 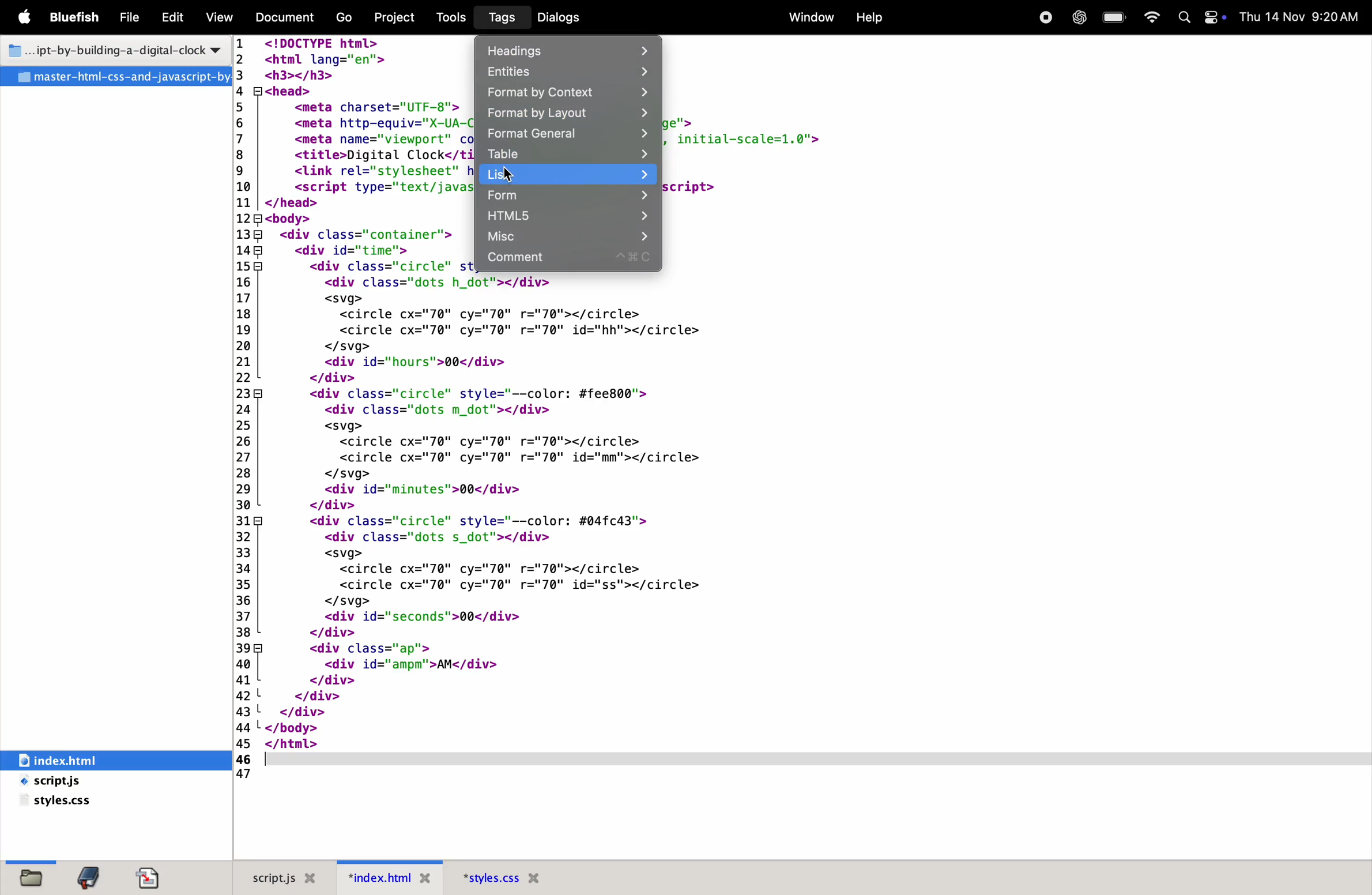 What do you see at coordinates (399, 16) in the screenshot?
I see `Projects` at bounding box center [399, 16].